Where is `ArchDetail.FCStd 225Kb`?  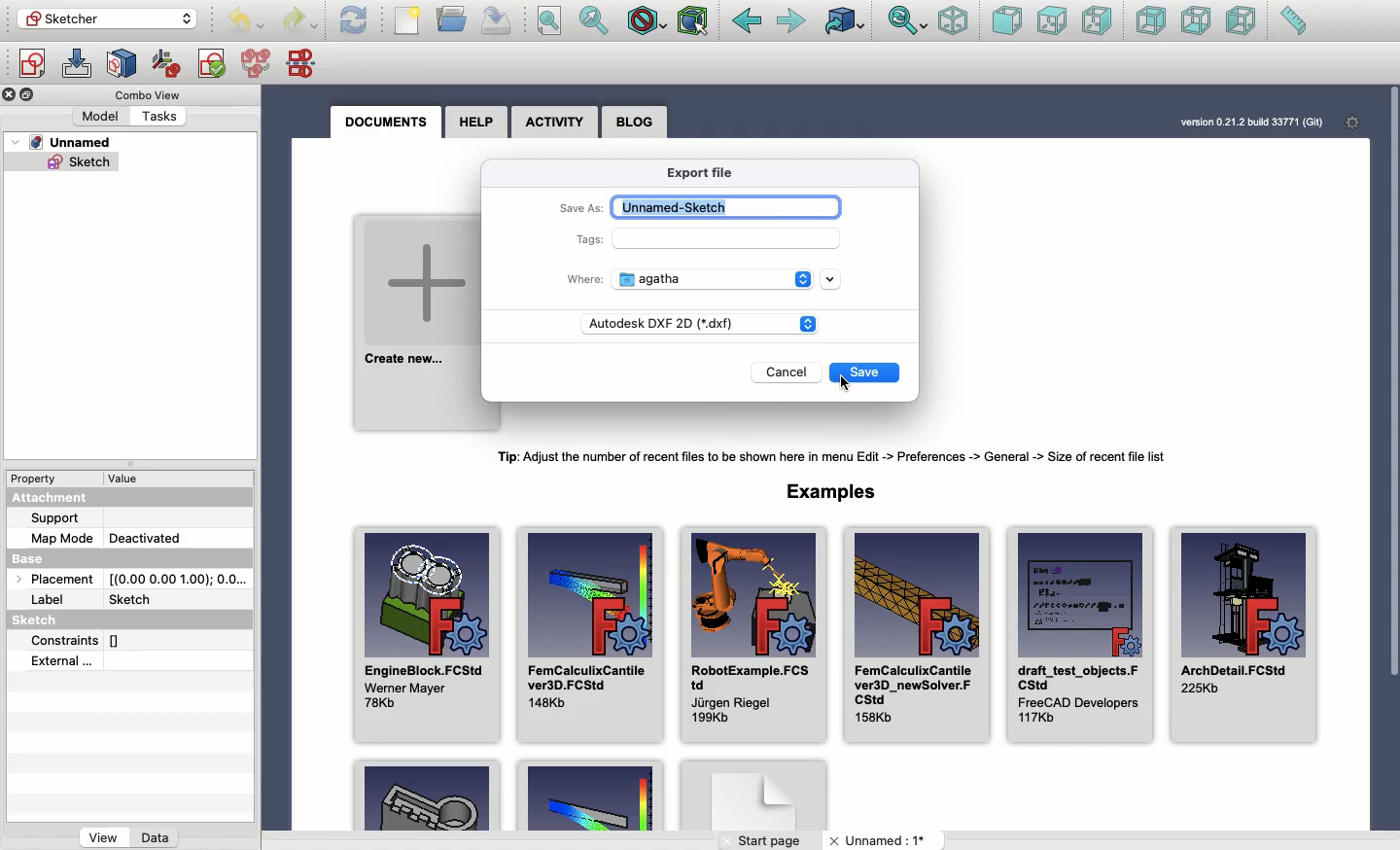
ArchDetail.FCStd 225Kb is located at coordinates (1246, 635).